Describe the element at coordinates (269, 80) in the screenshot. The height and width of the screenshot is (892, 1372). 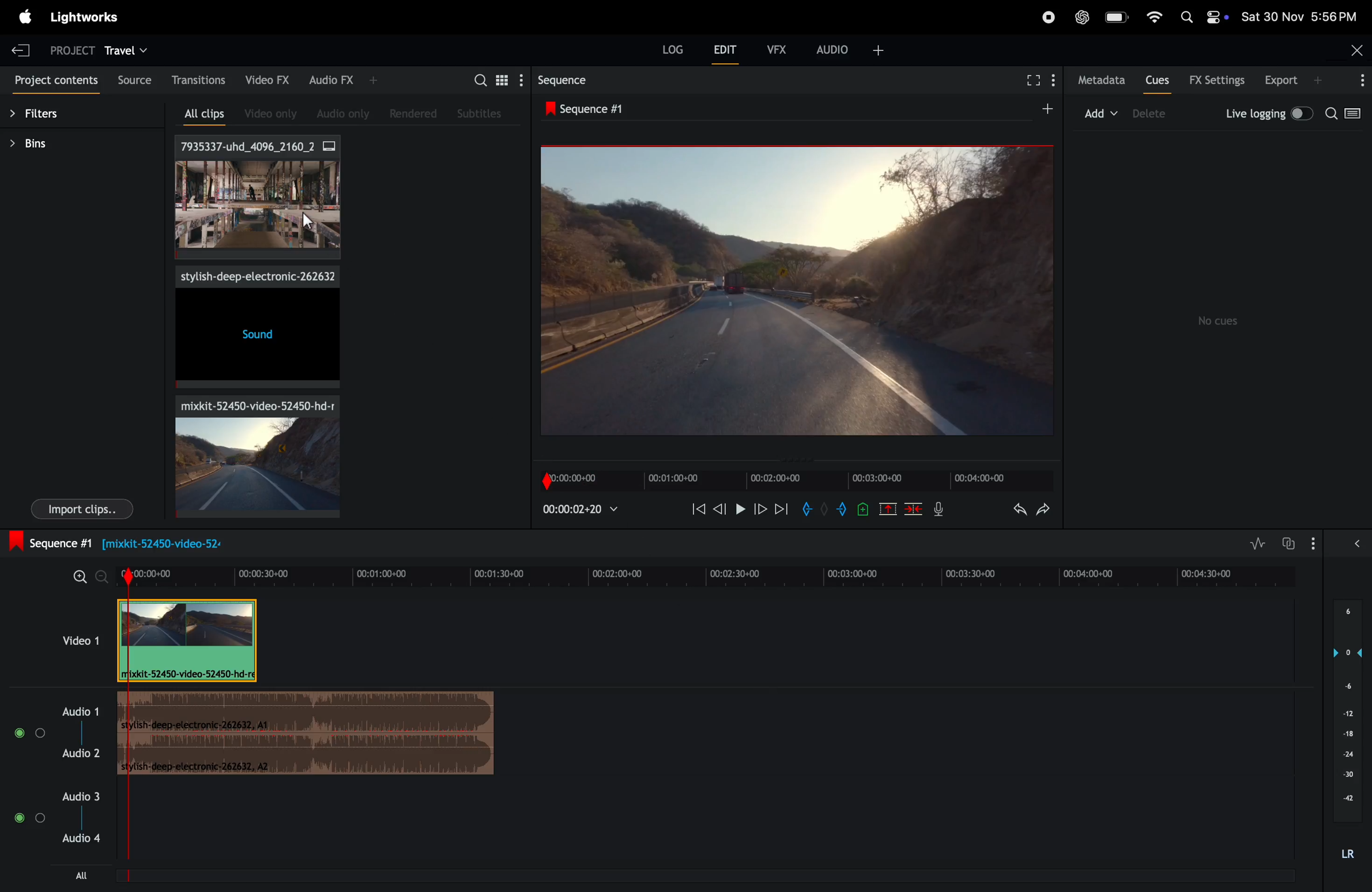
I see `video fx` at that location.